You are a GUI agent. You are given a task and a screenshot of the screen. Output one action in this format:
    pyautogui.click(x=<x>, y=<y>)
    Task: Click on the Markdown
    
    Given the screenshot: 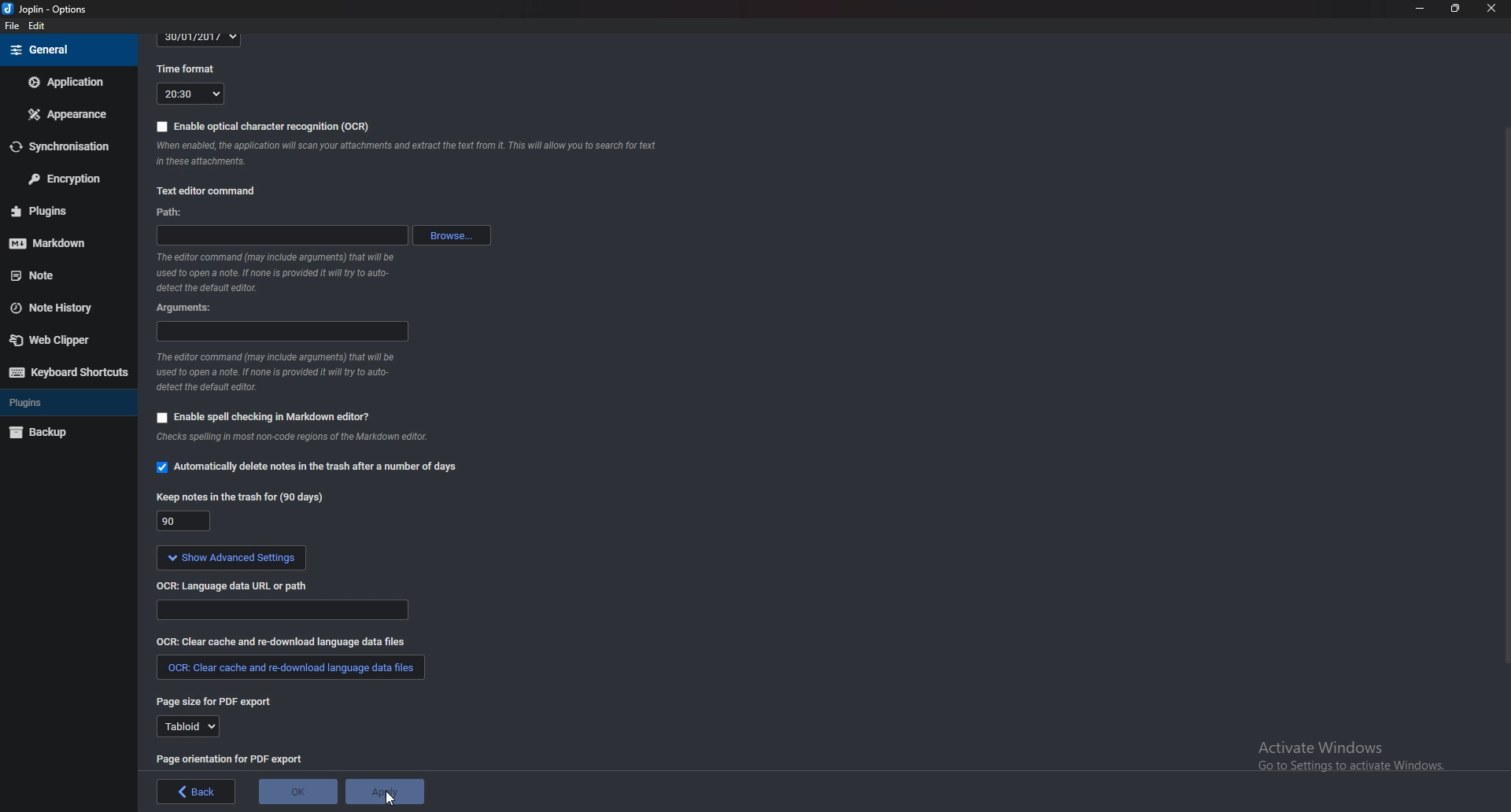 What is the action you would take?
    pyautogui.click(x=59, y=242)
    